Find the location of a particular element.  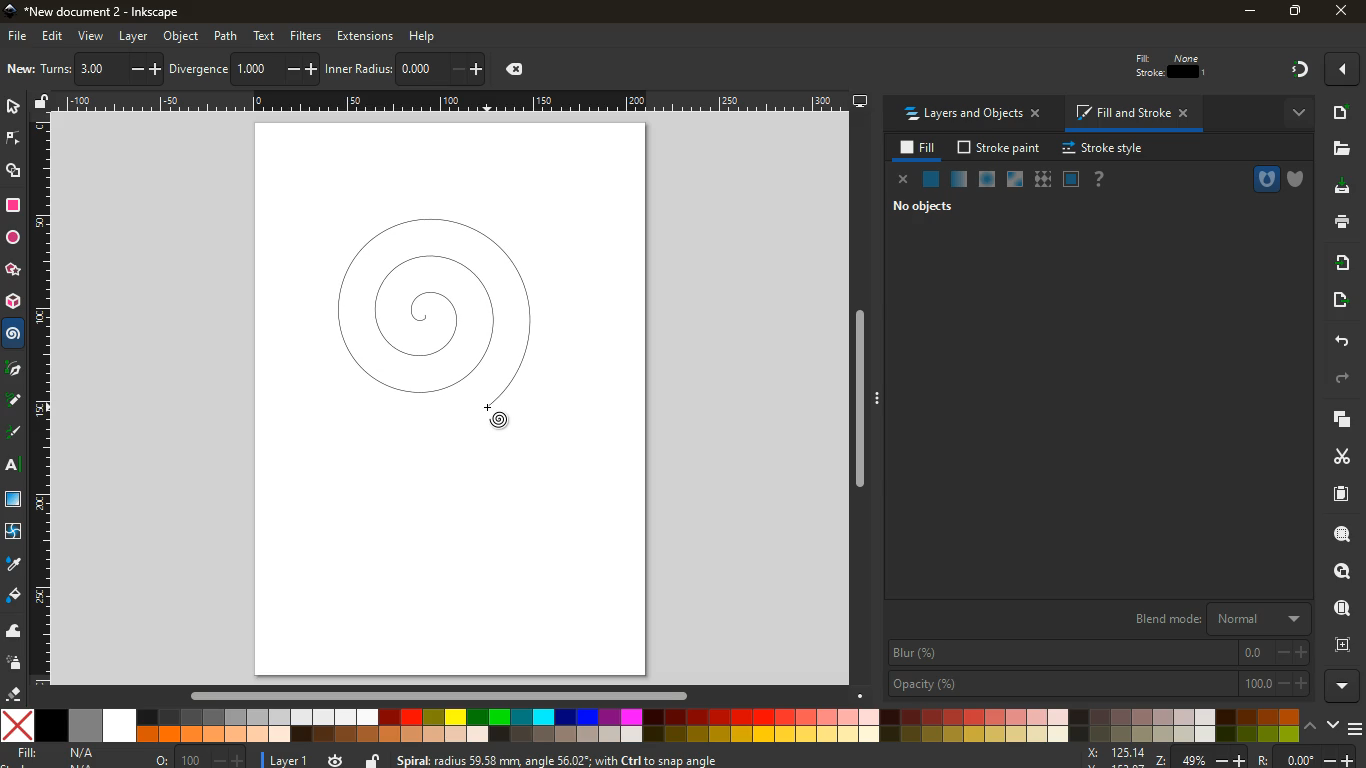

opacity is located at coordinates (1097, 683).